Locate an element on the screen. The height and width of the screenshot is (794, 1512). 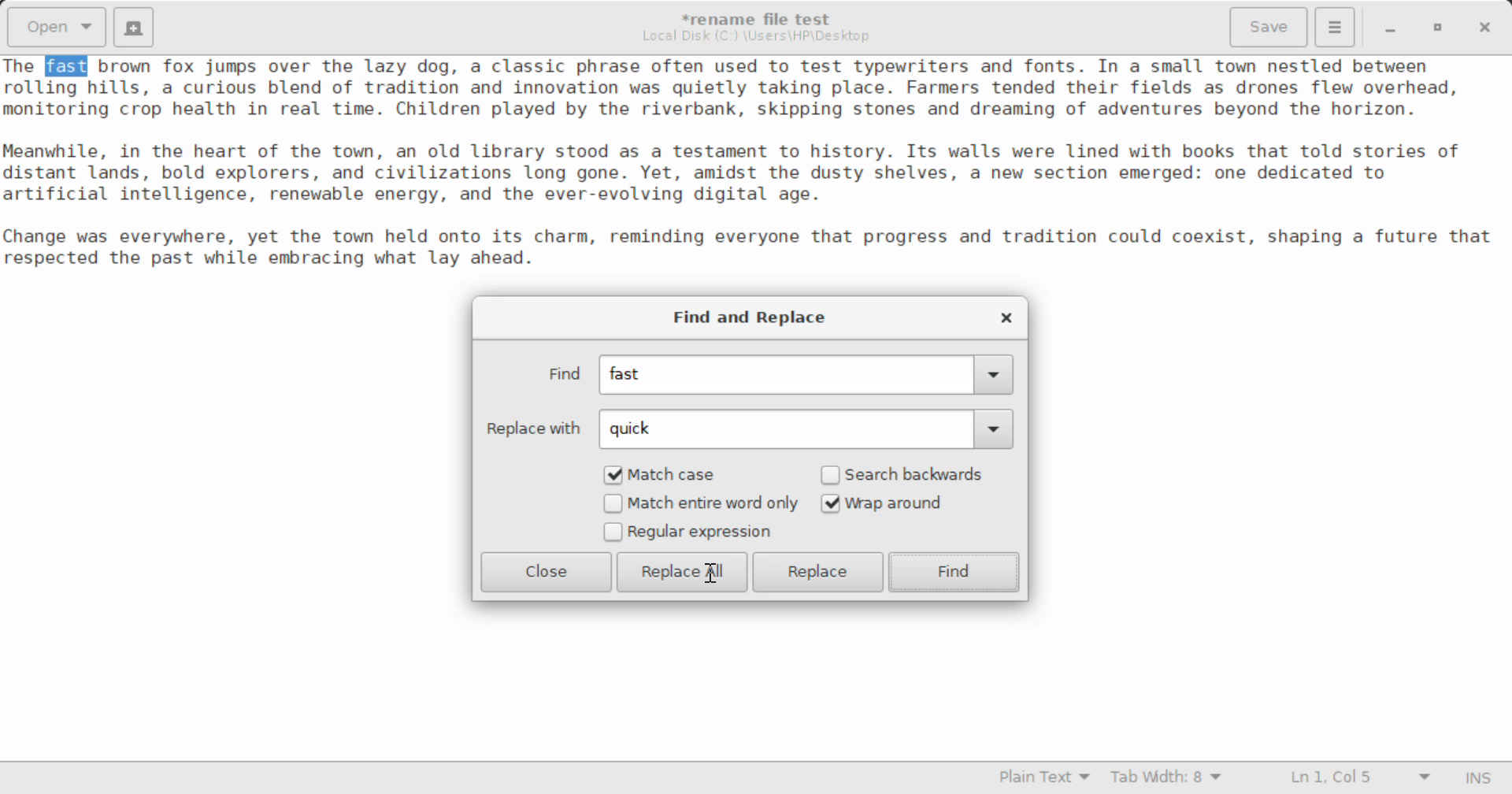
Find: fast is located at coordinates (772, 376).